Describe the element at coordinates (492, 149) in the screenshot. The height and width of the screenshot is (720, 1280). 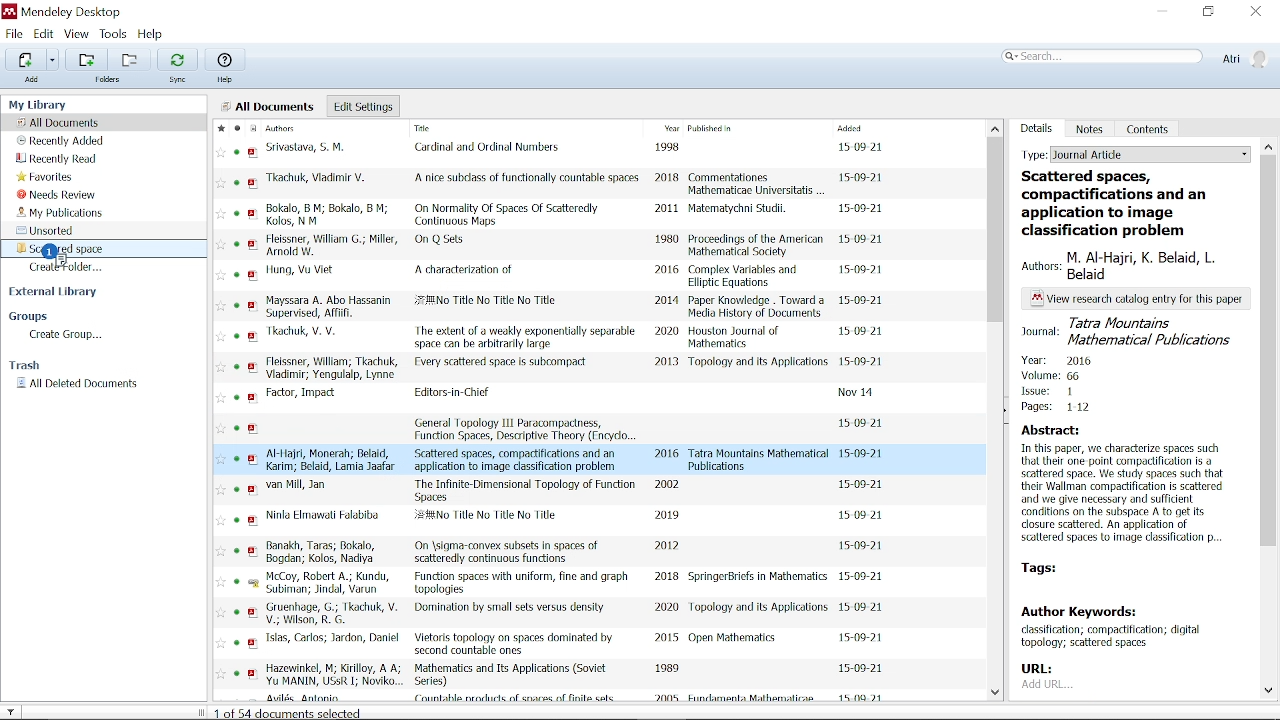
I see `title` at that location.